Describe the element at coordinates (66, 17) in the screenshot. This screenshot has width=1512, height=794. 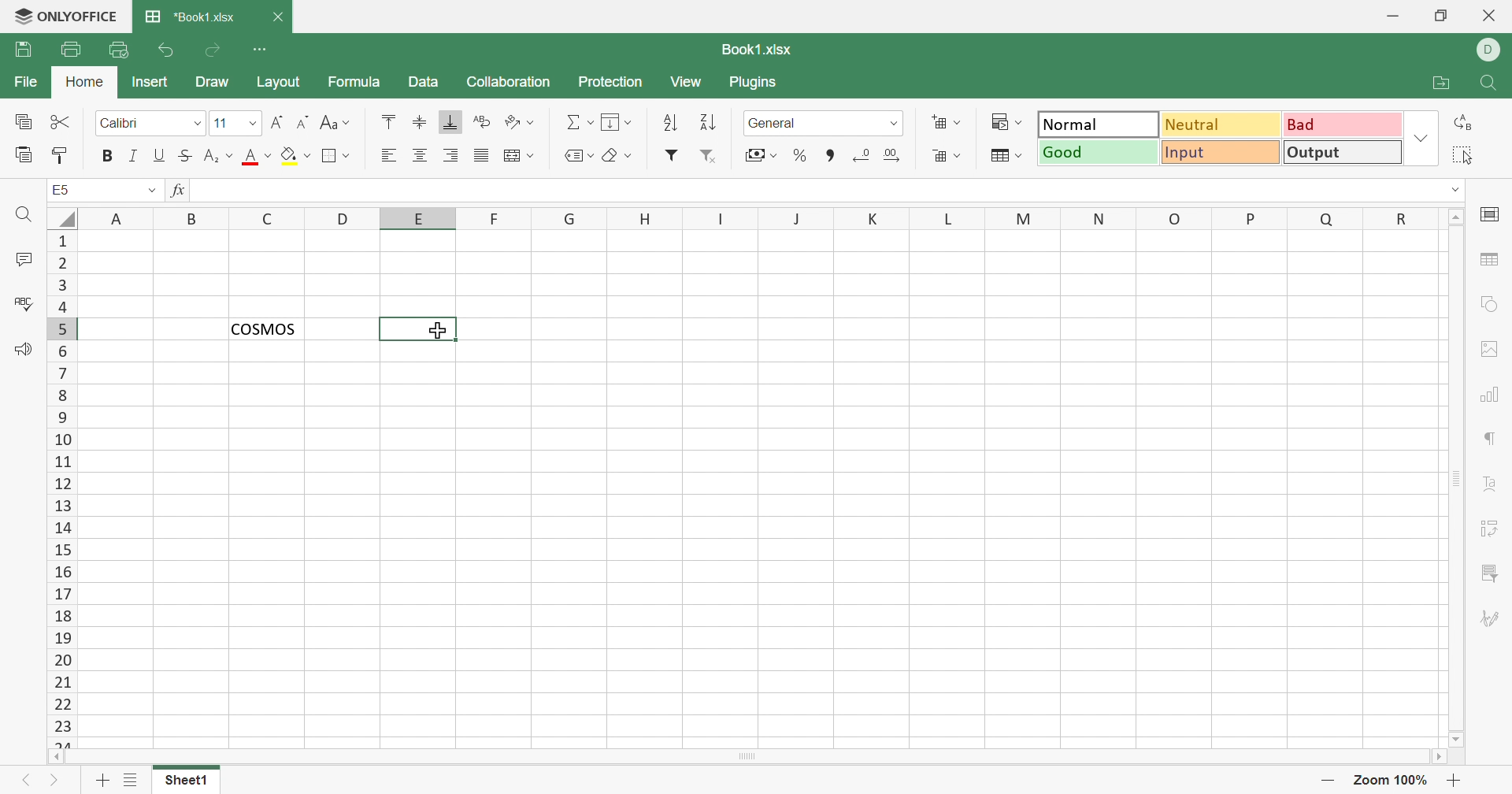
I see `ONLYOFFICE` at that location.